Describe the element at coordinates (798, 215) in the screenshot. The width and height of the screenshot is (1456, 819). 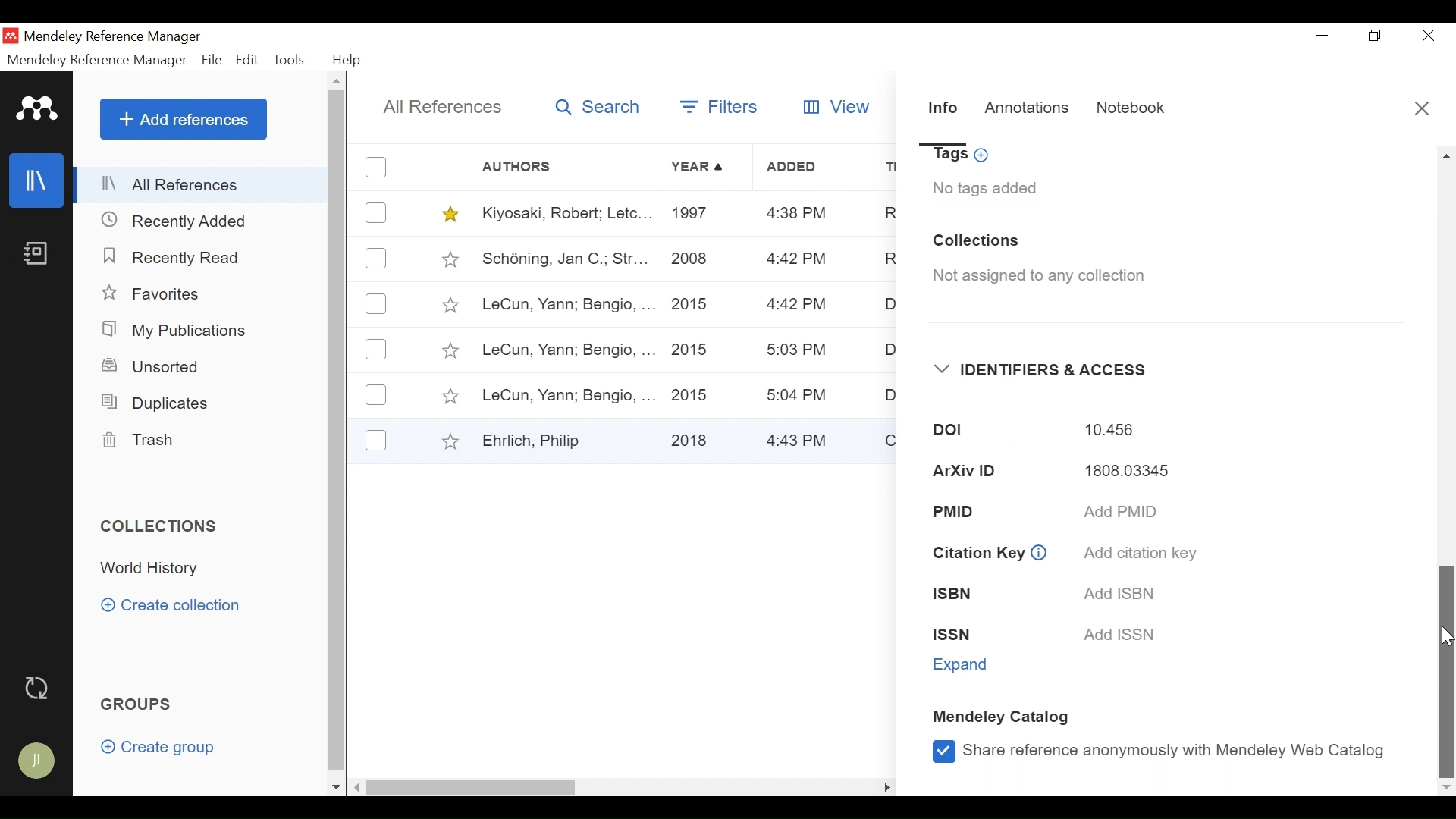
I see `4:38 PM` at that location.